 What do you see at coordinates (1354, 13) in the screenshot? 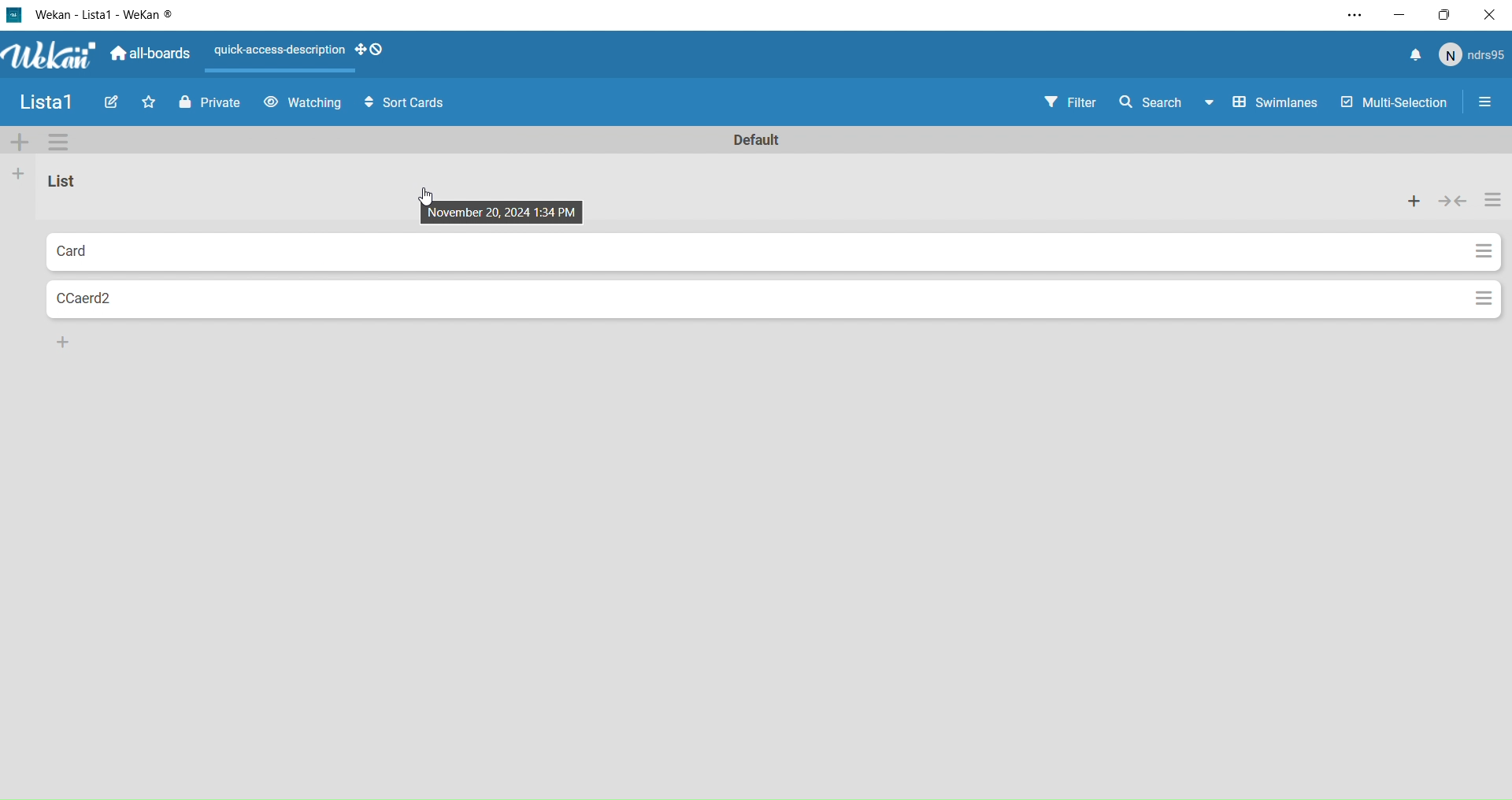
I see `Settings` at bounding box center [1354, 13].